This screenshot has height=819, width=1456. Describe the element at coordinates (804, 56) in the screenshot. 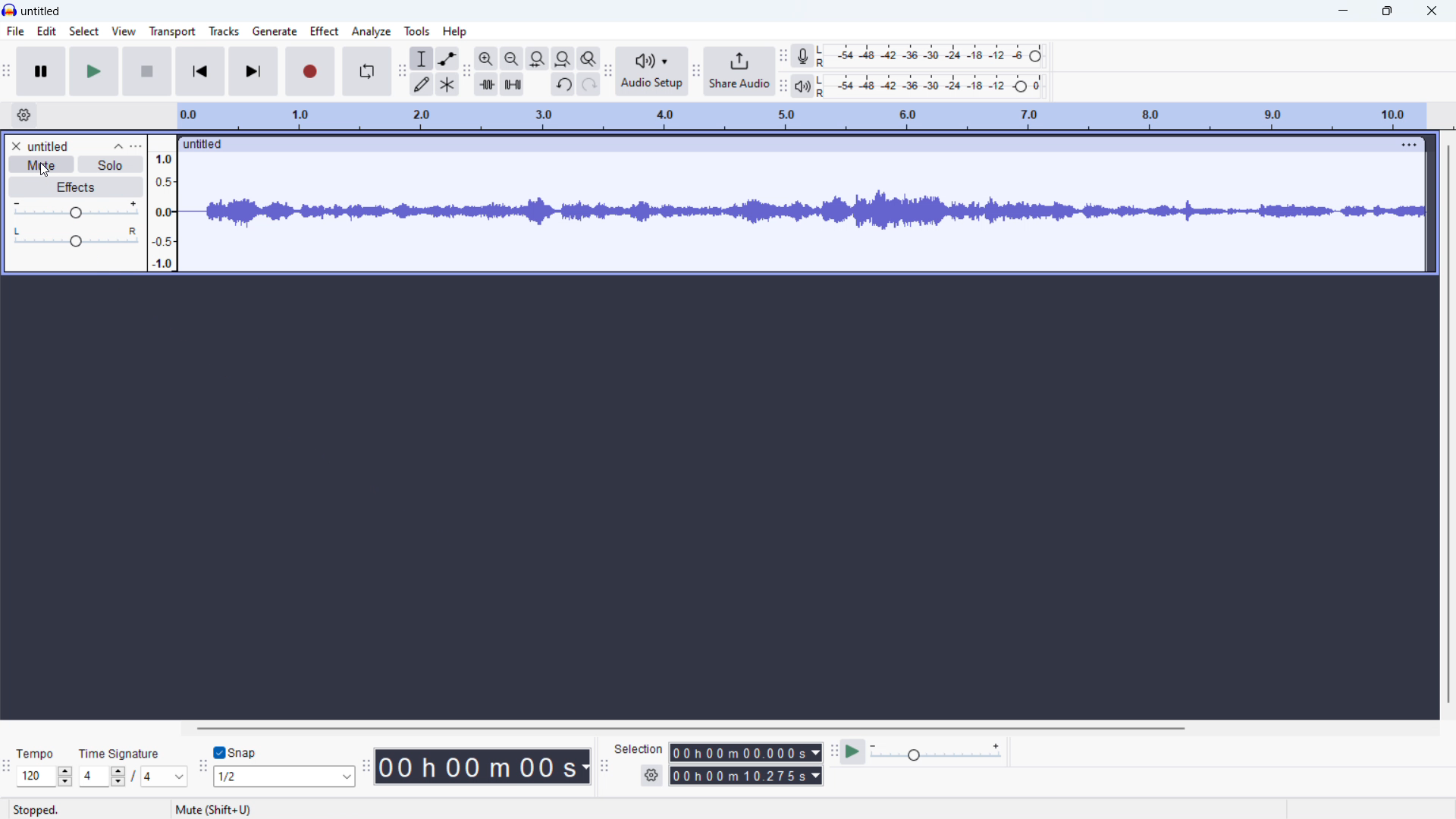

I see `recording meter` at that location.